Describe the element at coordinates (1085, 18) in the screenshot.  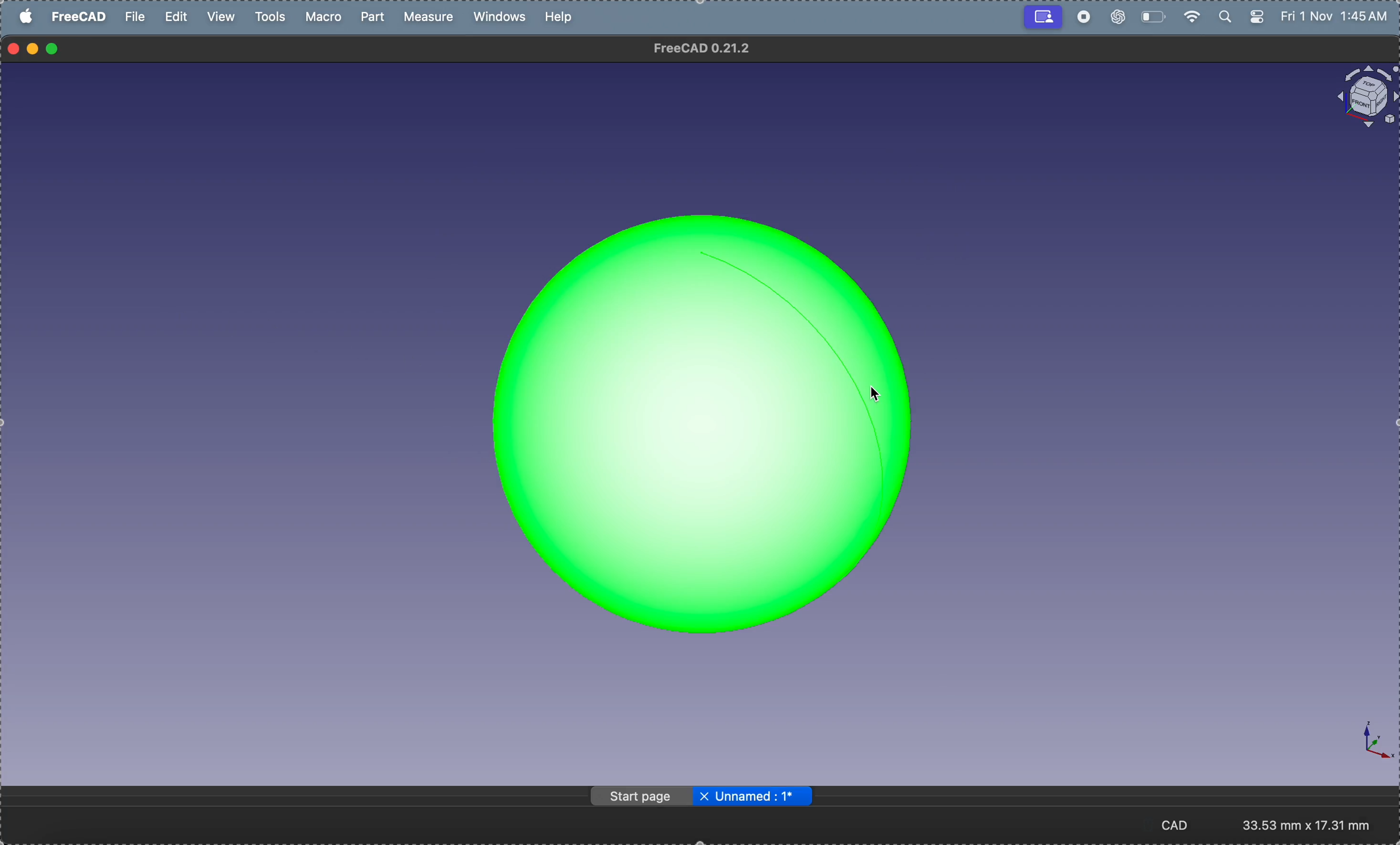
I see `record` at that location.